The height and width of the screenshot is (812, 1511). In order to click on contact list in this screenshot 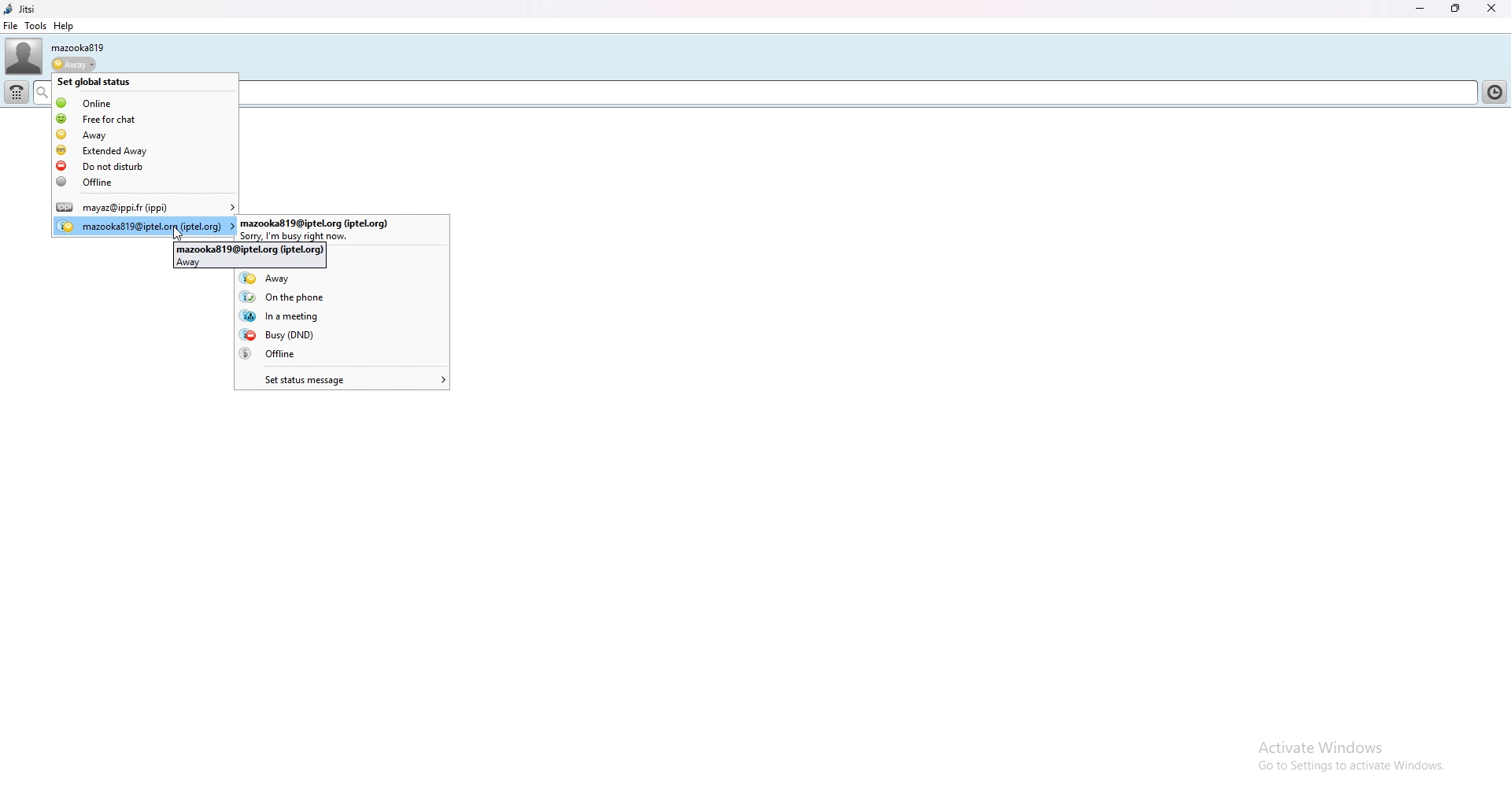, I will do `click(1498, 90)`.